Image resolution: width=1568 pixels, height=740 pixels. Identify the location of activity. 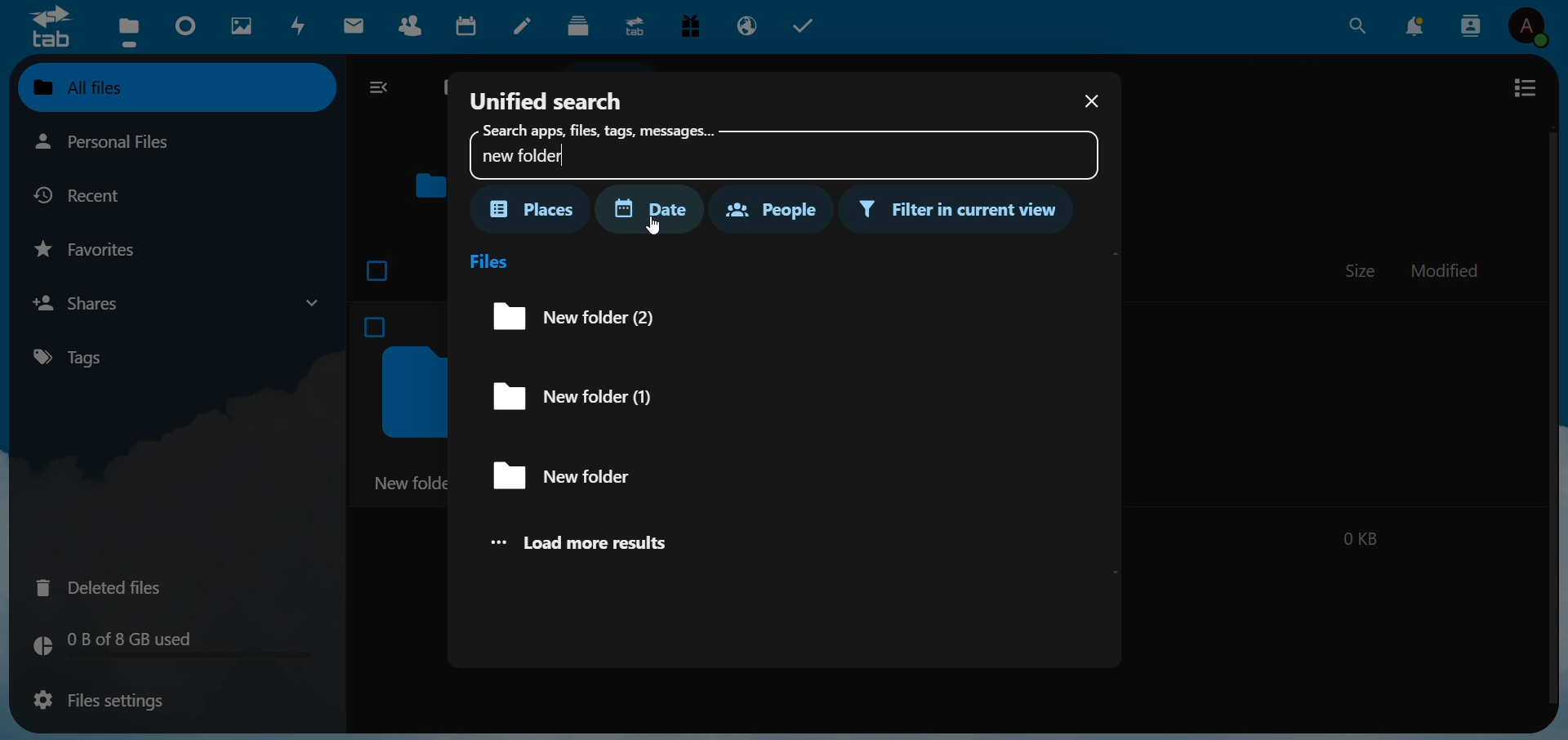
(301, 26).